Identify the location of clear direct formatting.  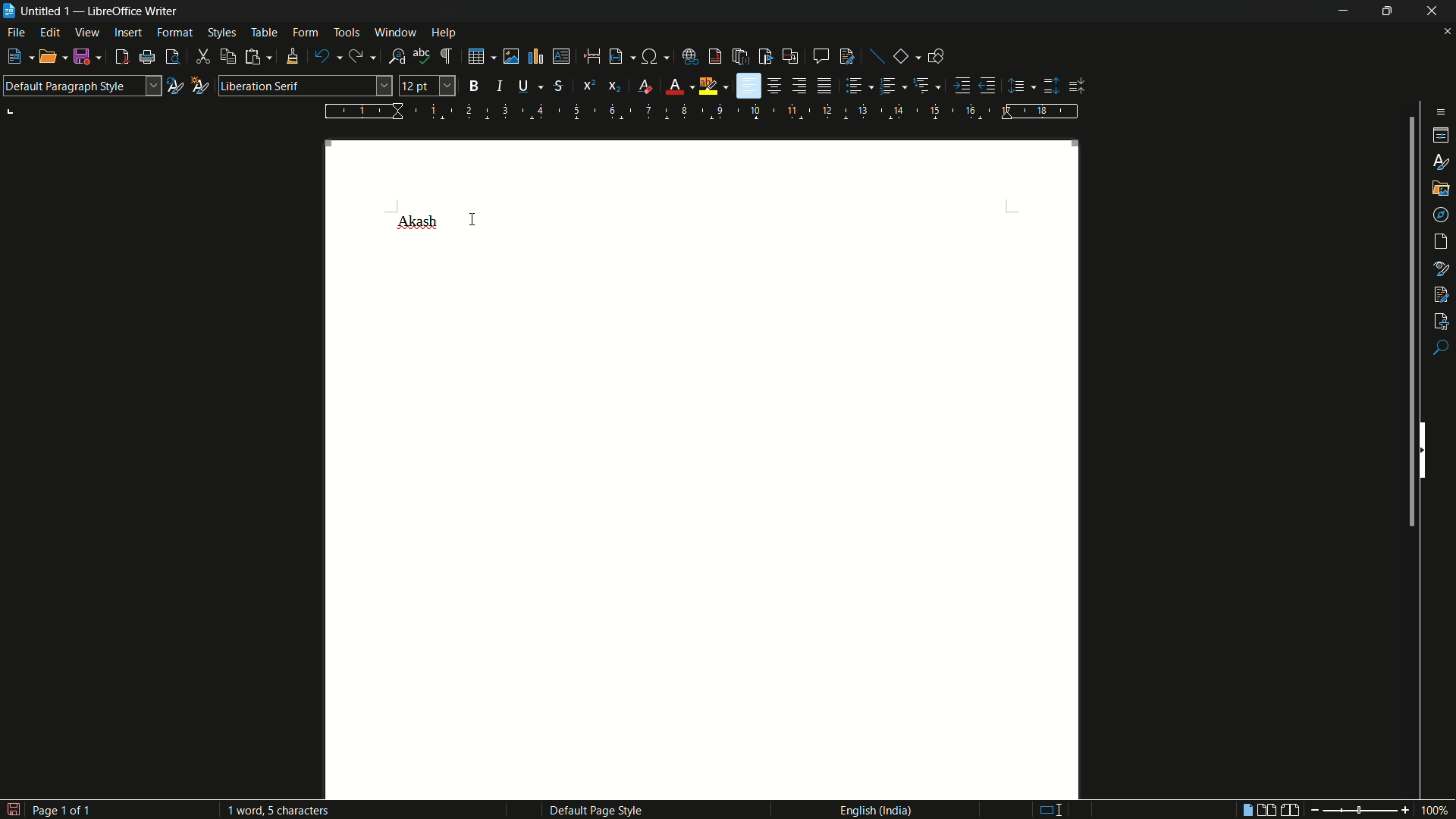
(648, 87).